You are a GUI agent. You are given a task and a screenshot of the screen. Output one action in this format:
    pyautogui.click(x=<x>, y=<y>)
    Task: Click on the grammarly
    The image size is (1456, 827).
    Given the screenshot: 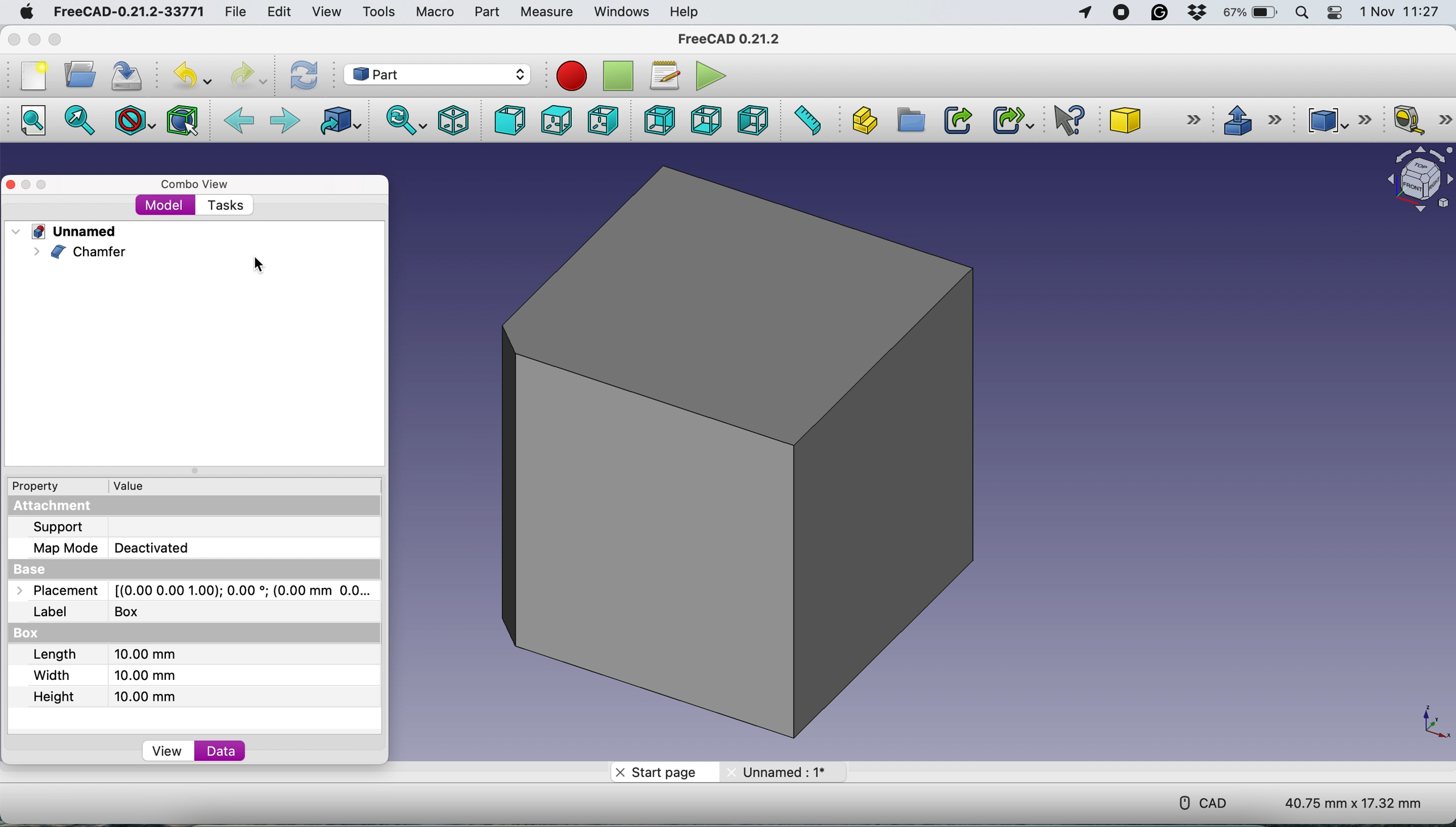 What is the action you would take?
    pyautogui.click(x=1160, y=13)
    